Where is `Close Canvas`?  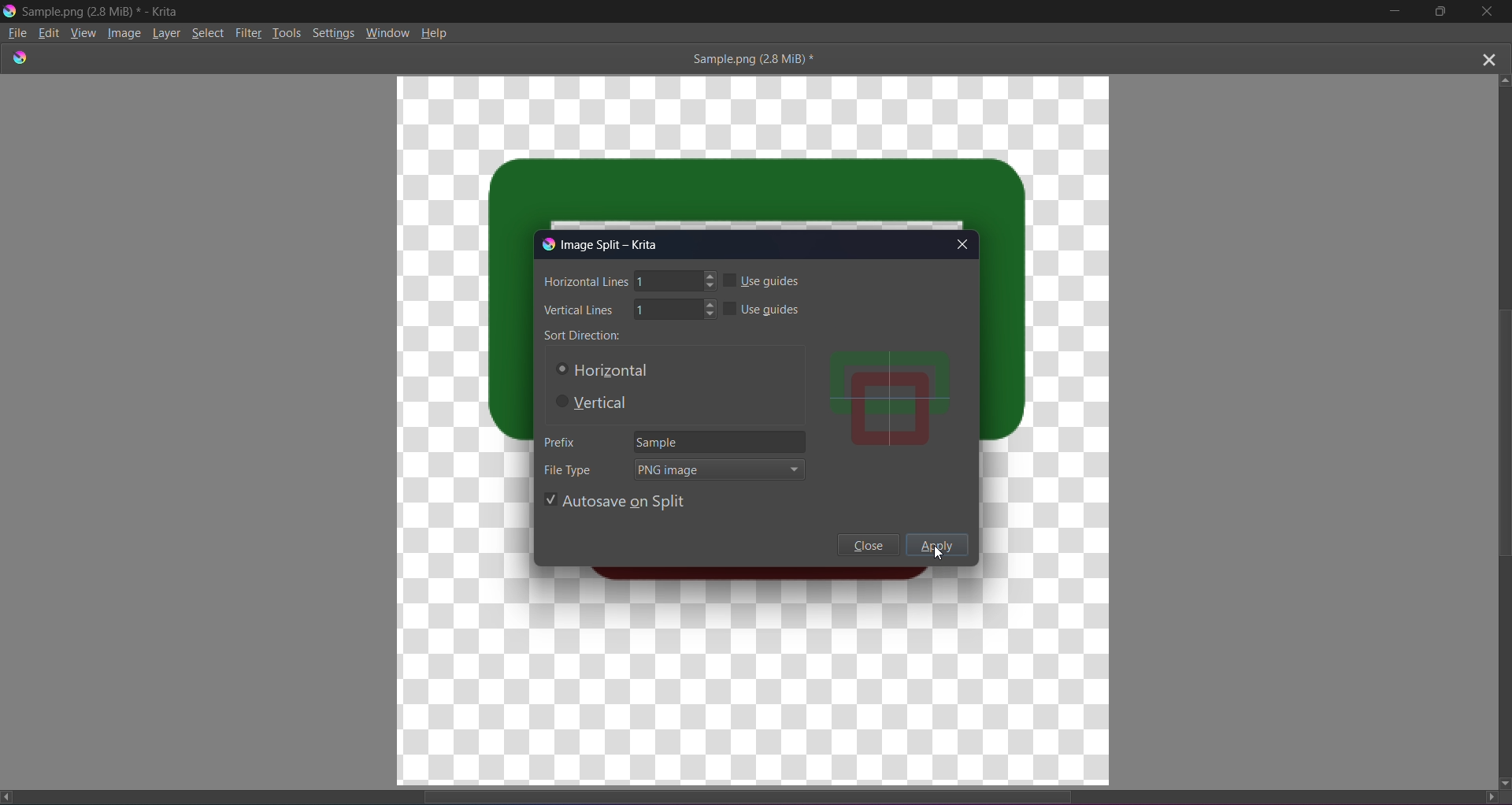 Close Canvas is located at coordinates (1488, 57).